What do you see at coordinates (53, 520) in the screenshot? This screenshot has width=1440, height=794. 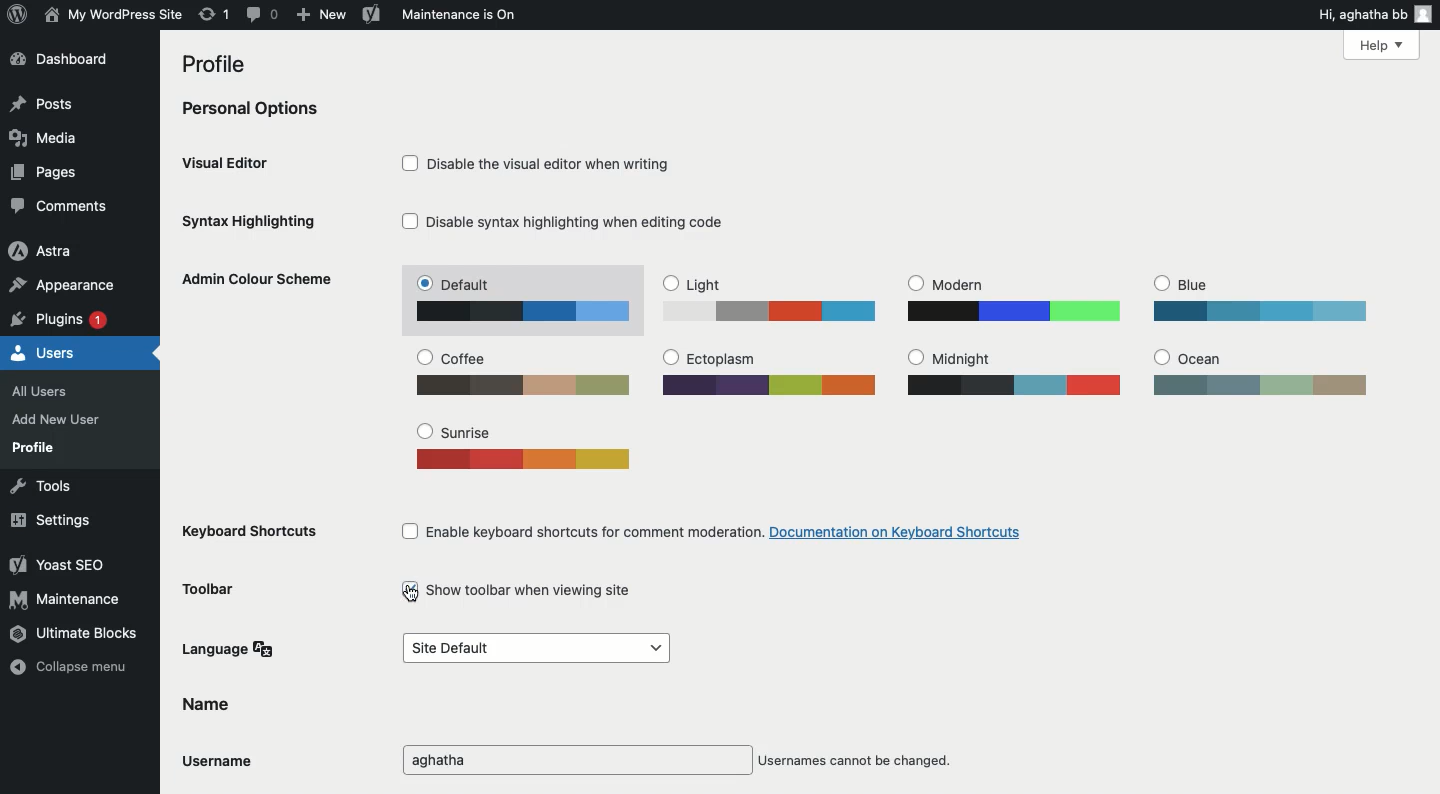 I see `Settings` at bounding box center [53, 520].